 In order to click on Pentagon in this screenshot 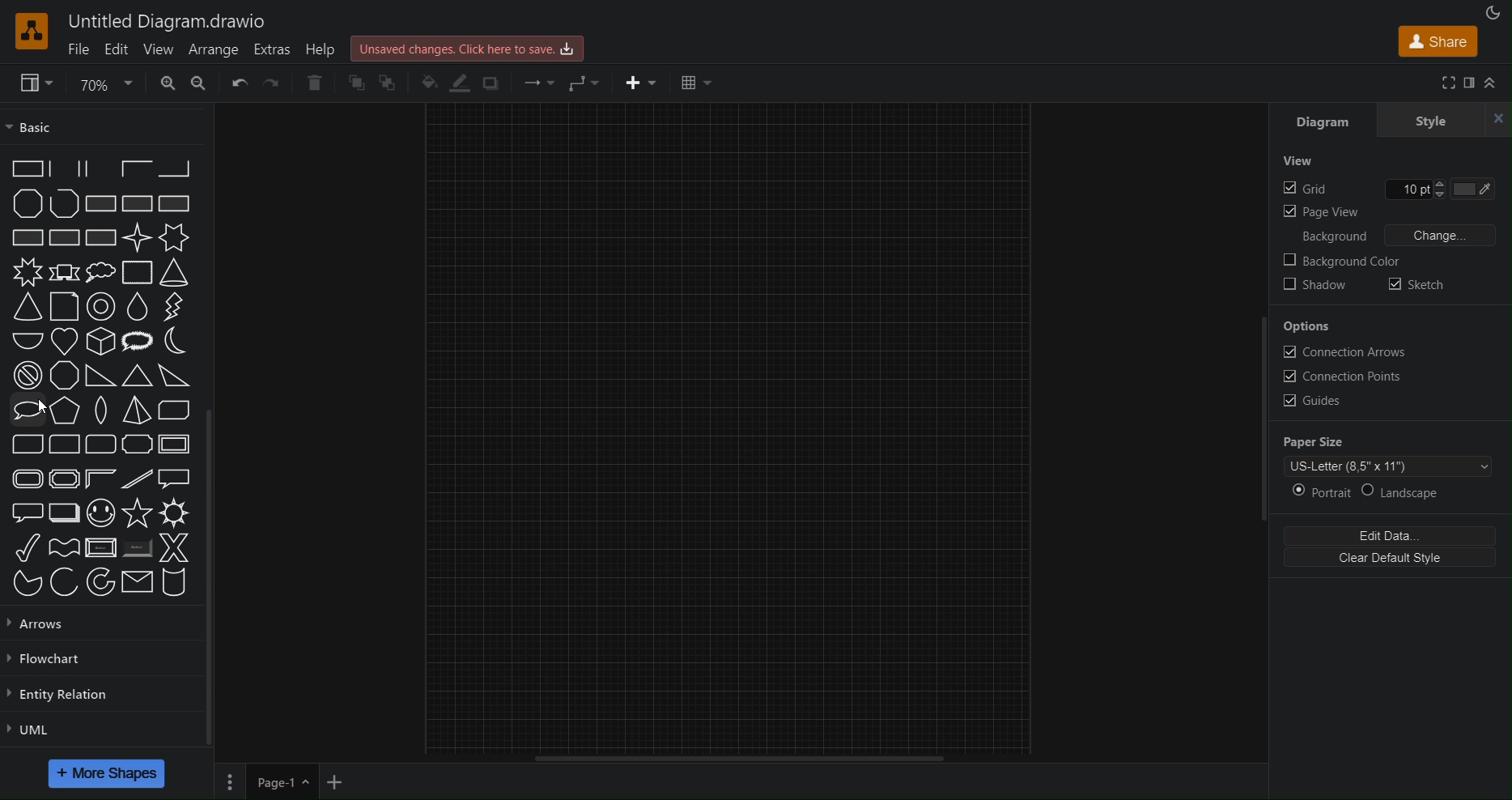, I will do `click(65, 410)`.